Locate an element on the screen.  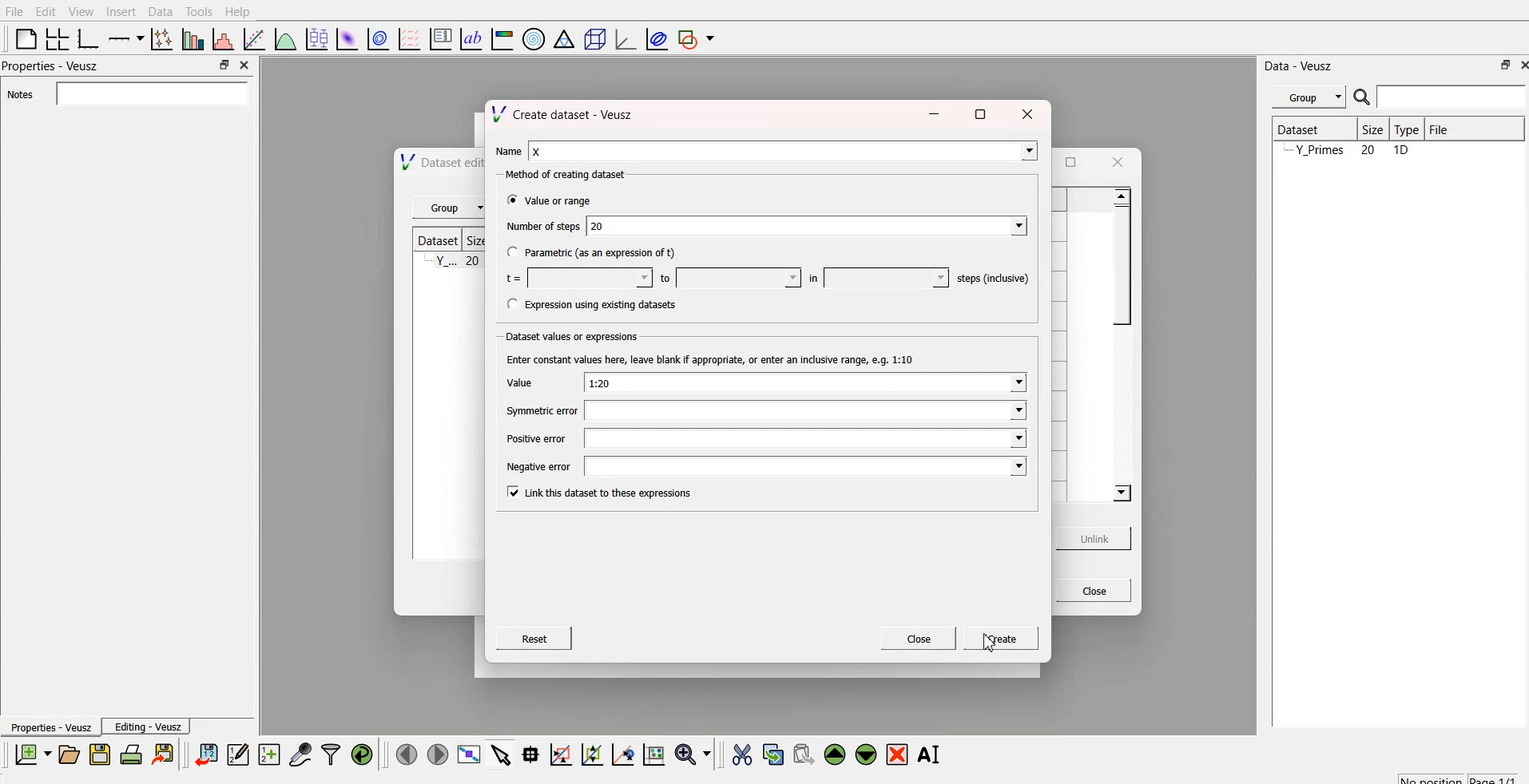
close is located at coordinates (1519, 66).